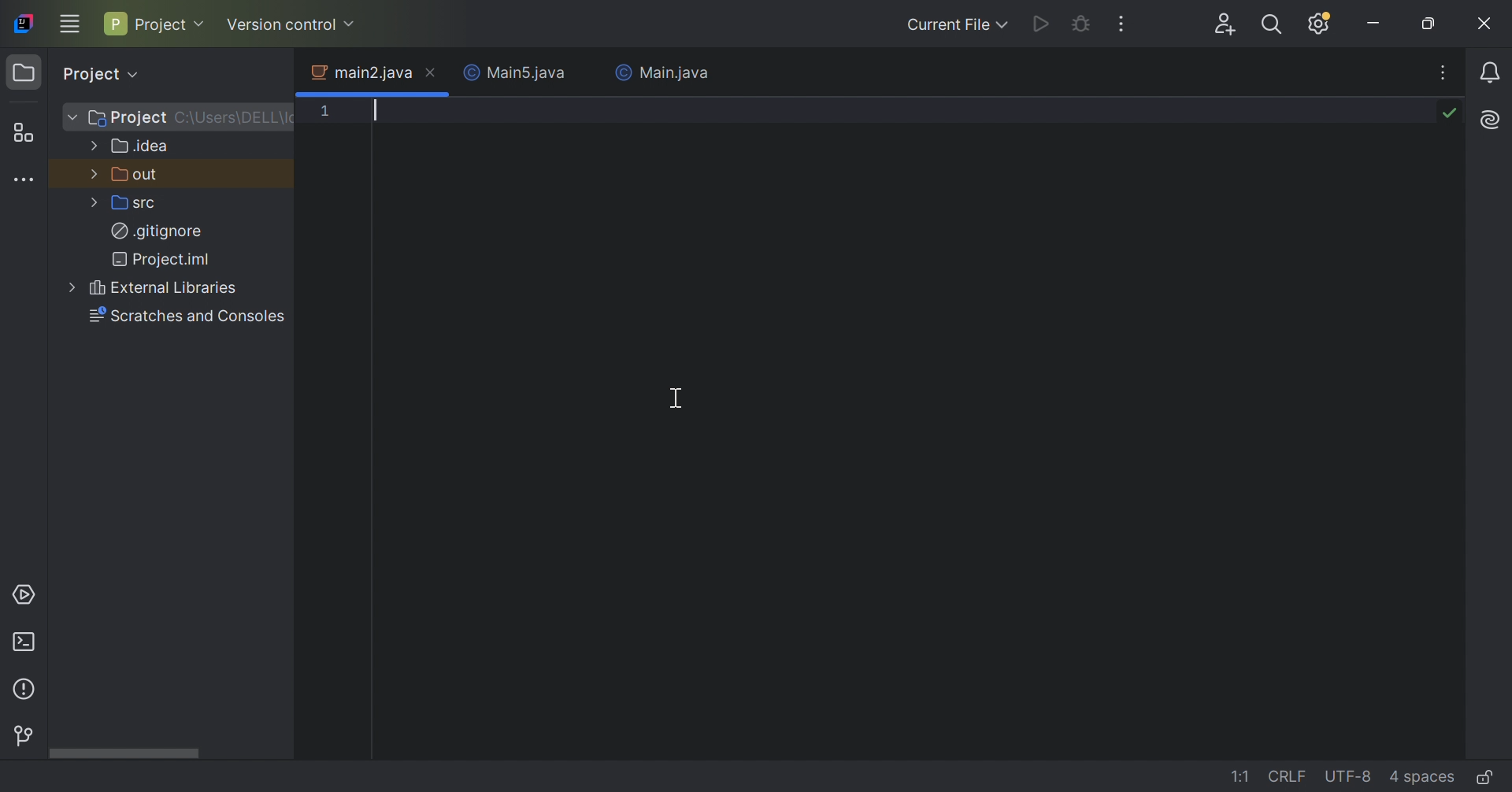  Describe the element at coordinates (510, 72) in the screenshot. I see `Main5.java` at that location.